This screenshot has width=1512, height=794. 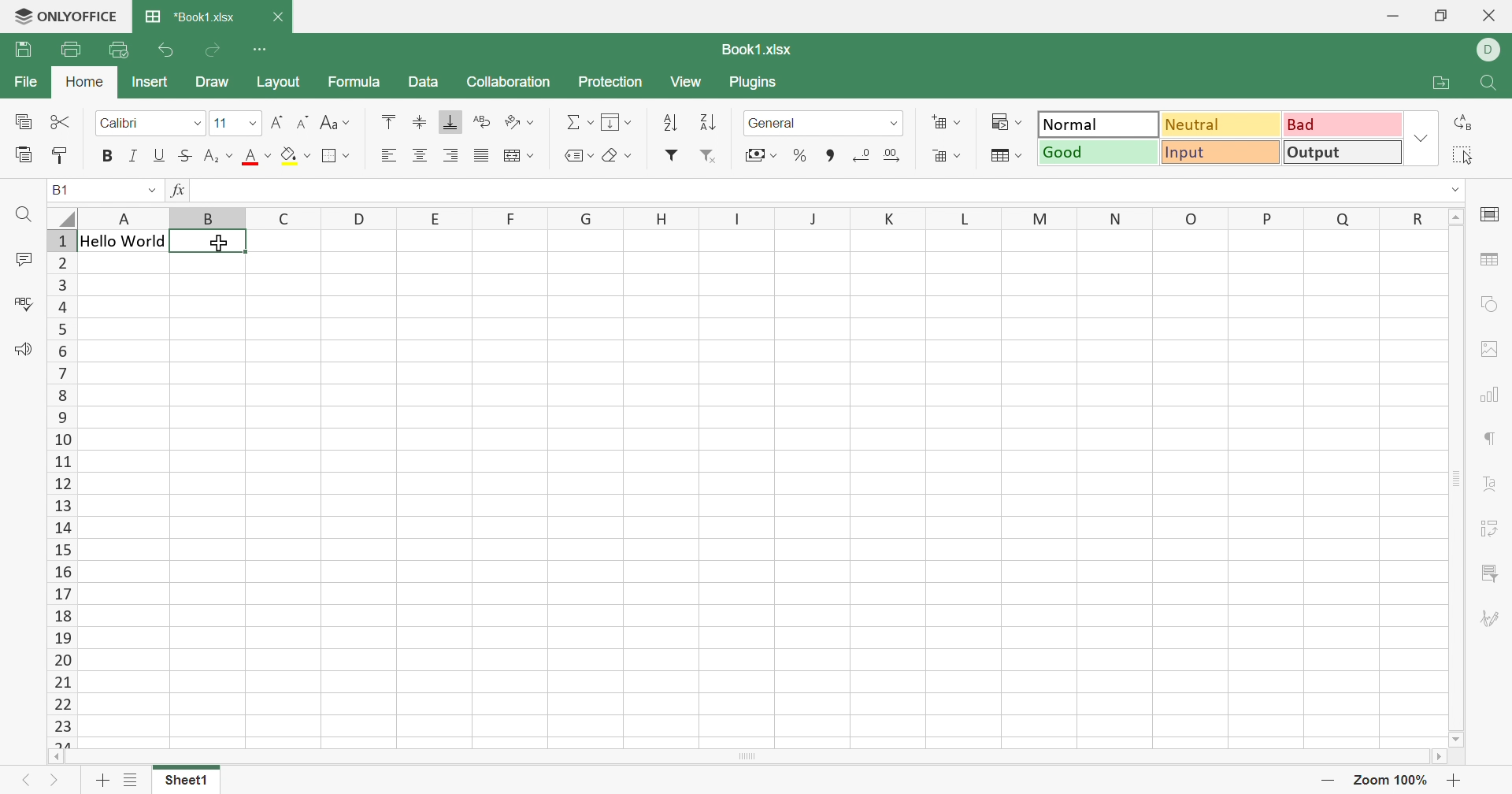 I want to click on DELL, so click(x=1491, y=50).